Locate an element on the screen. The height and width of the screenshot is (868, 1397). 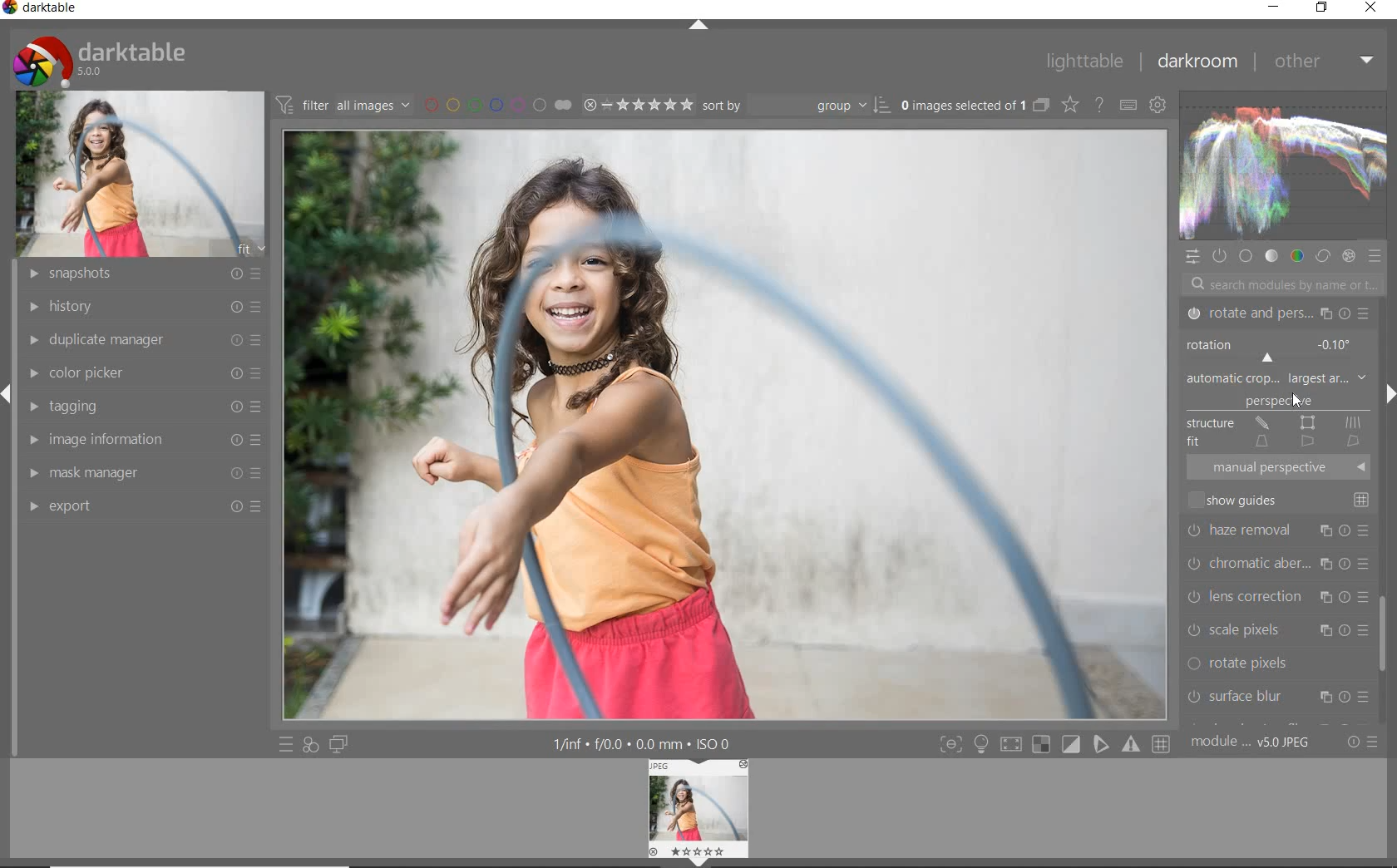
define keyboard shortcut is located at coordinates (1128, 106).